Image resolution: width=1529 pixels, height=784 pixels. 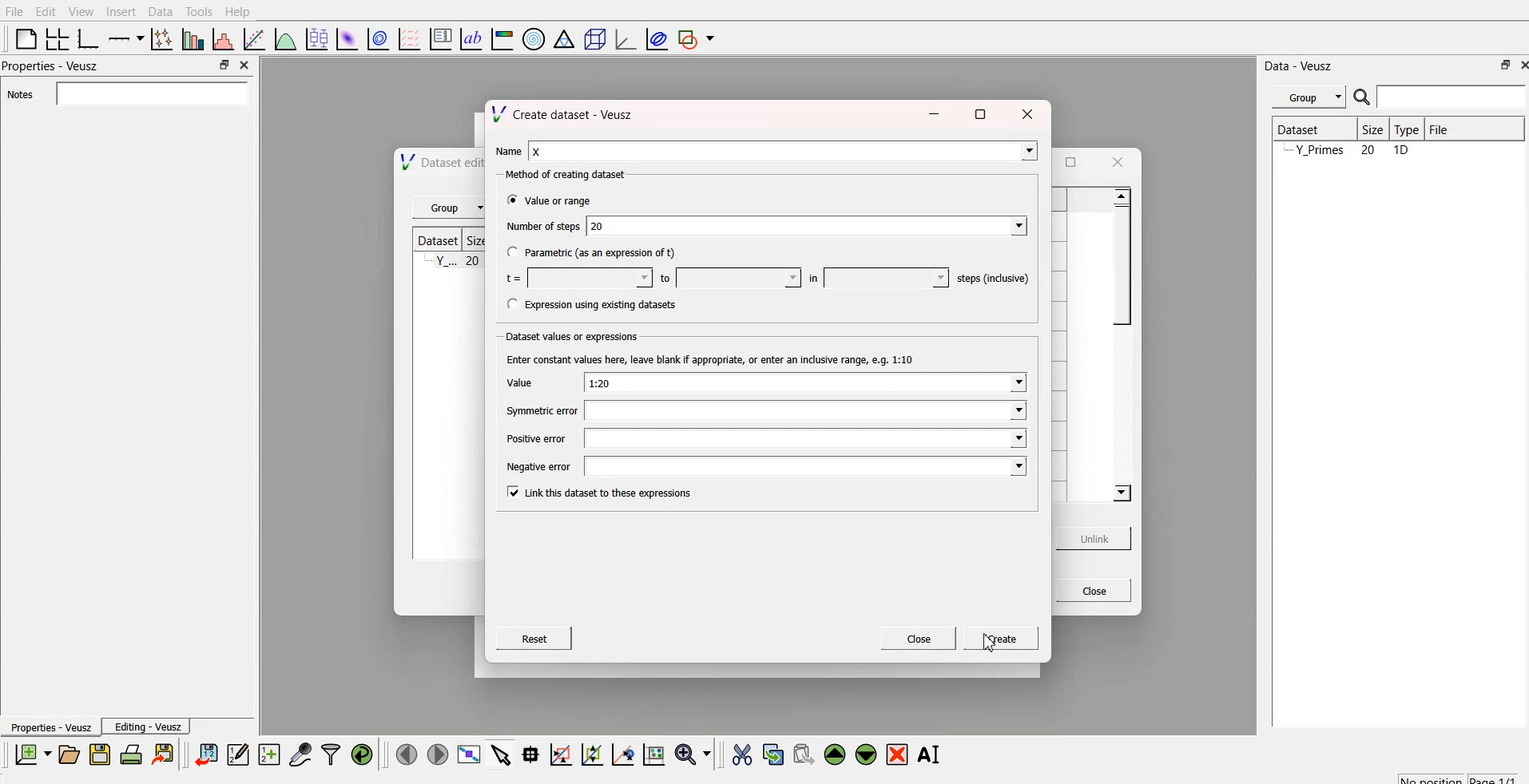 I want to click on Editing - Veusz, so click(x=150, y=727).